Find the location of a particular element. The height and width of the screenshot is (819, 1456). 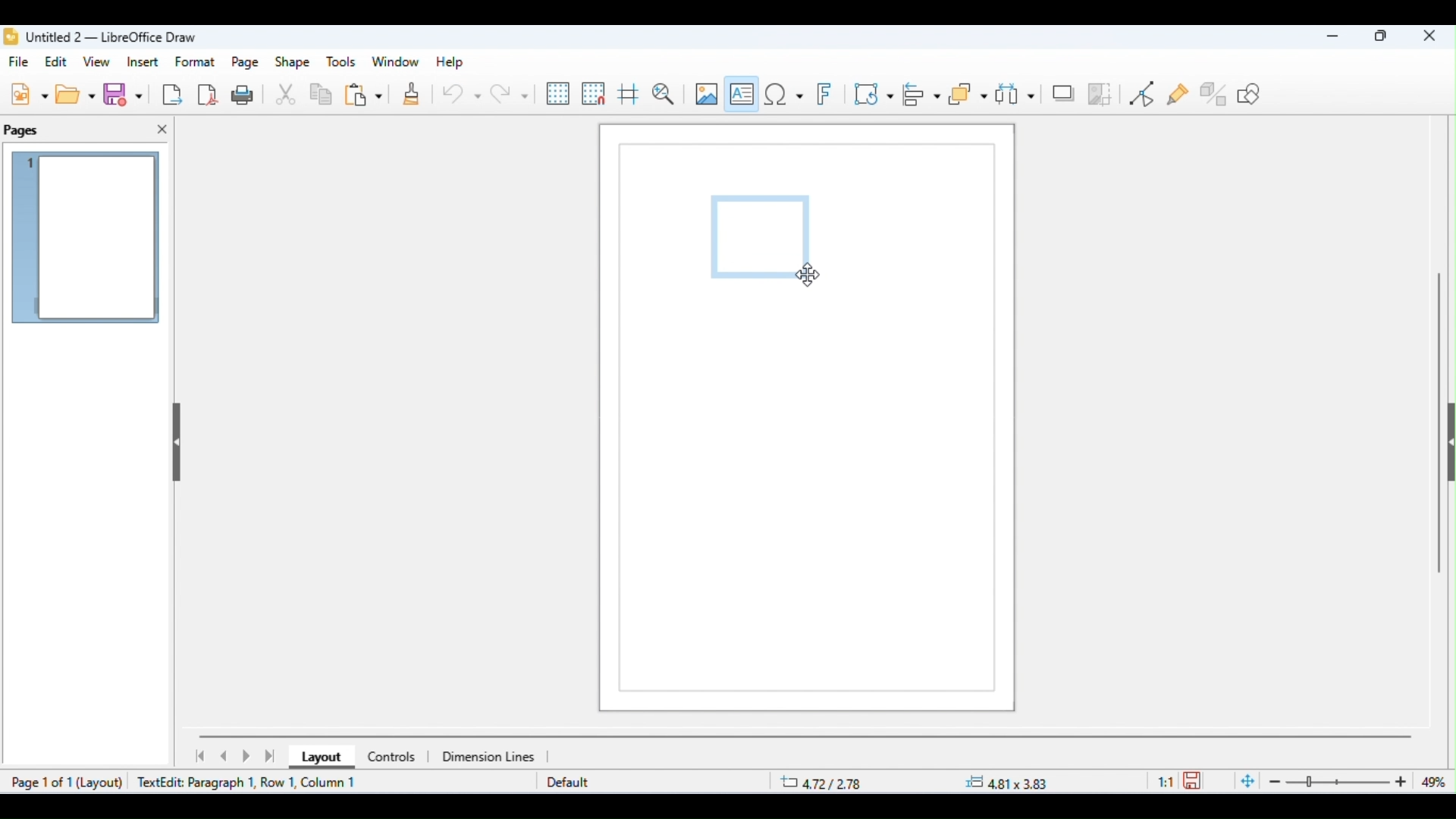

paste is located at coordinates (363, 96).